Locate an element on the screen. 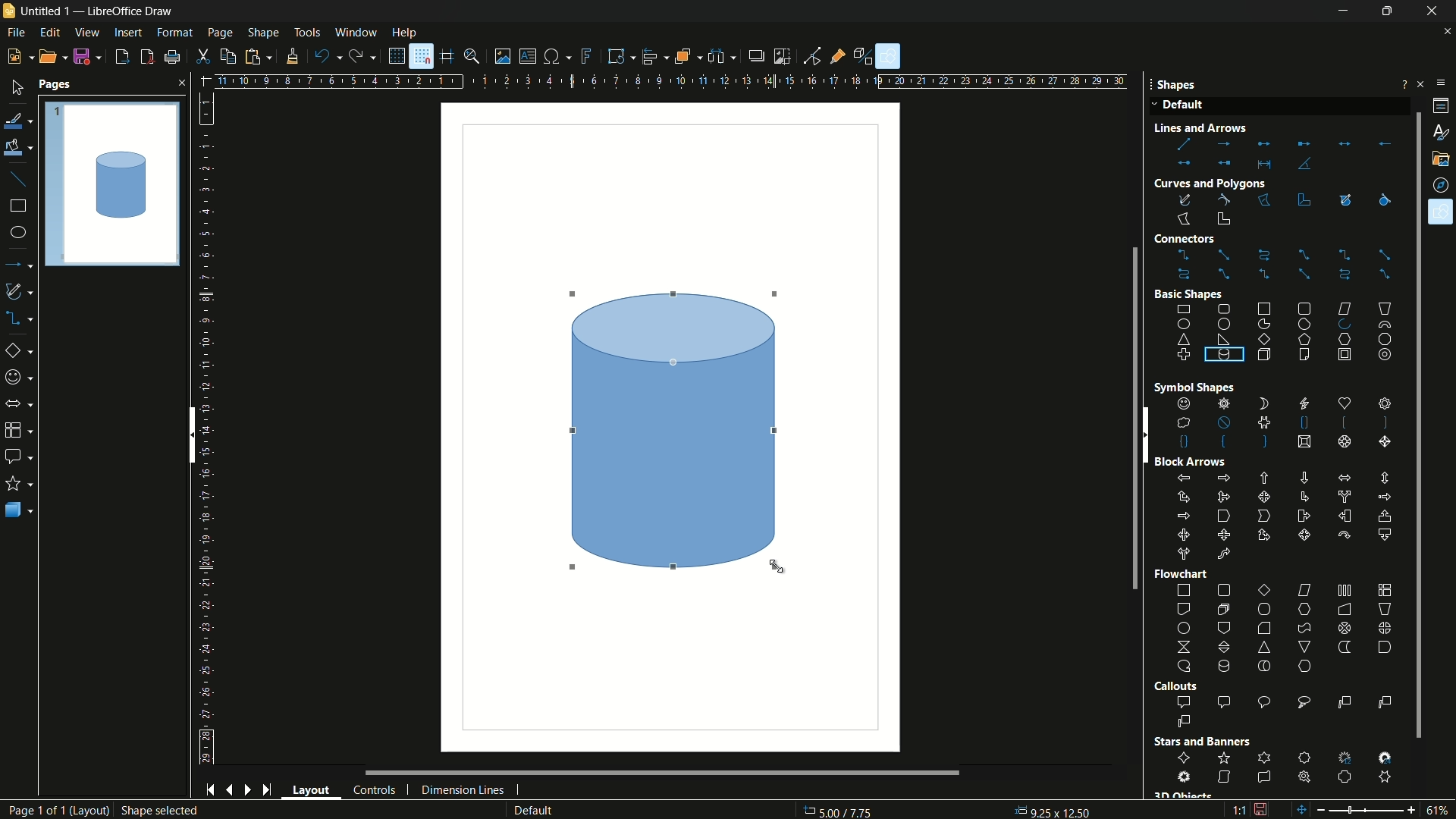 The image size is (1456, 819). cursor is located at coordinates (777, 567).